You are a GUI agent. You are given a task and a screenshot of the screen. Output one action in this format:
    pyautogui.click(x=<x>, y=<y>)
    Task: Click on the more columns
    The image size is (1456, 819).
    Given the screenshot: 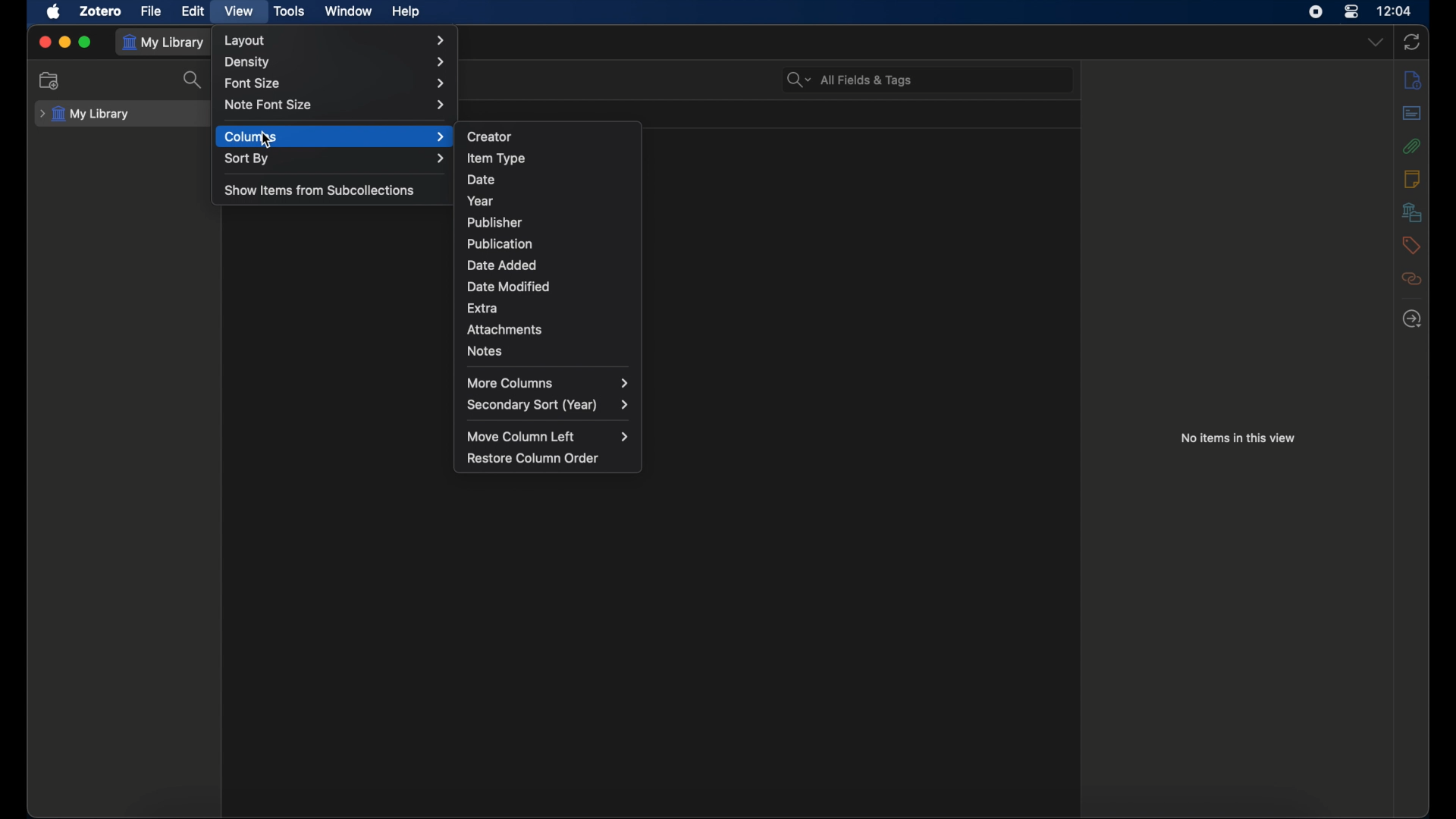 What is the action you would take?
    pyautogui.click(x=550, y=383)
    